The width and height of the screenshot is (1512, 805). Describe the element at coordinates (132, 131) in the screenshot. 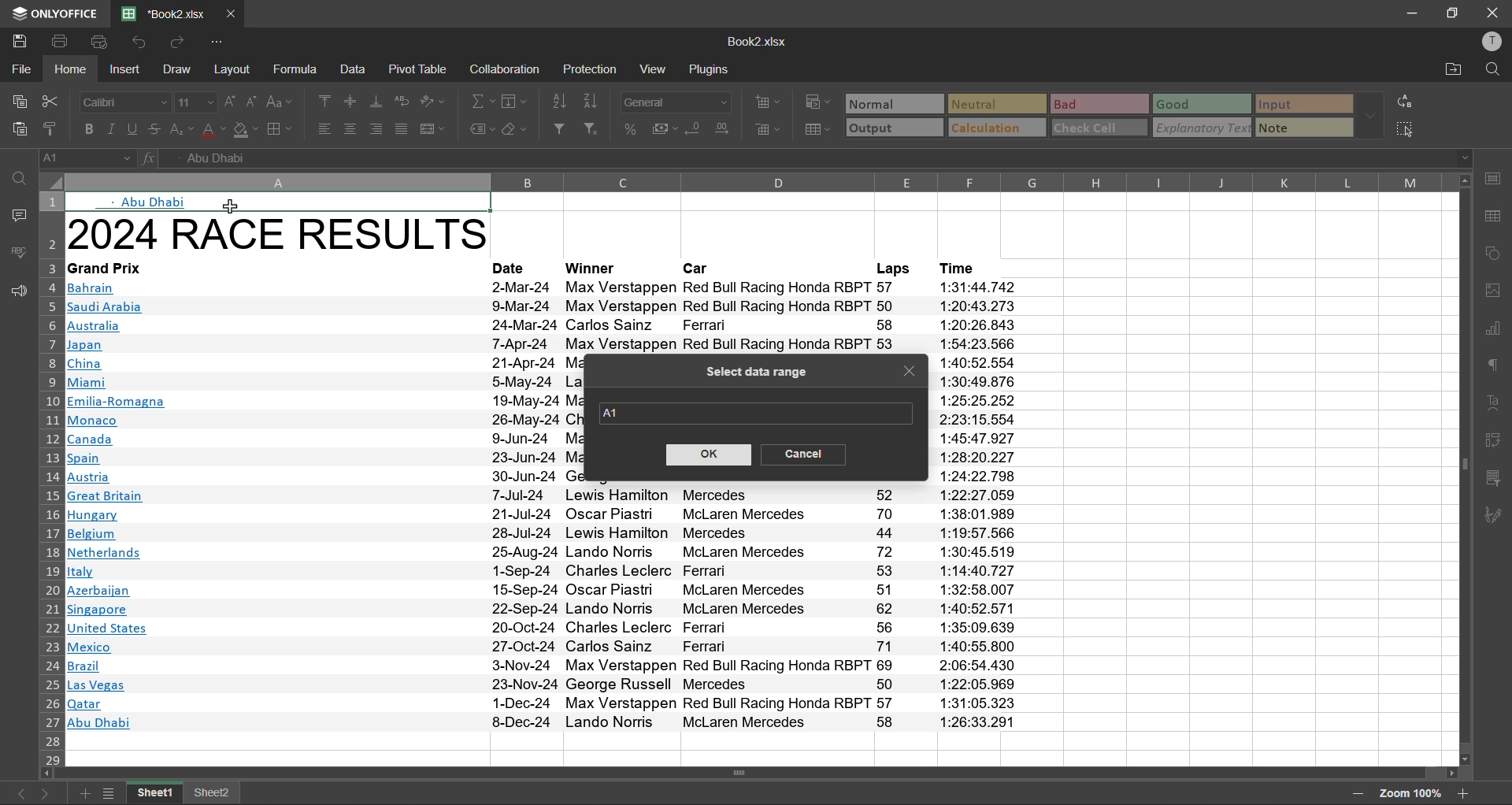

I see `underline` at that location.